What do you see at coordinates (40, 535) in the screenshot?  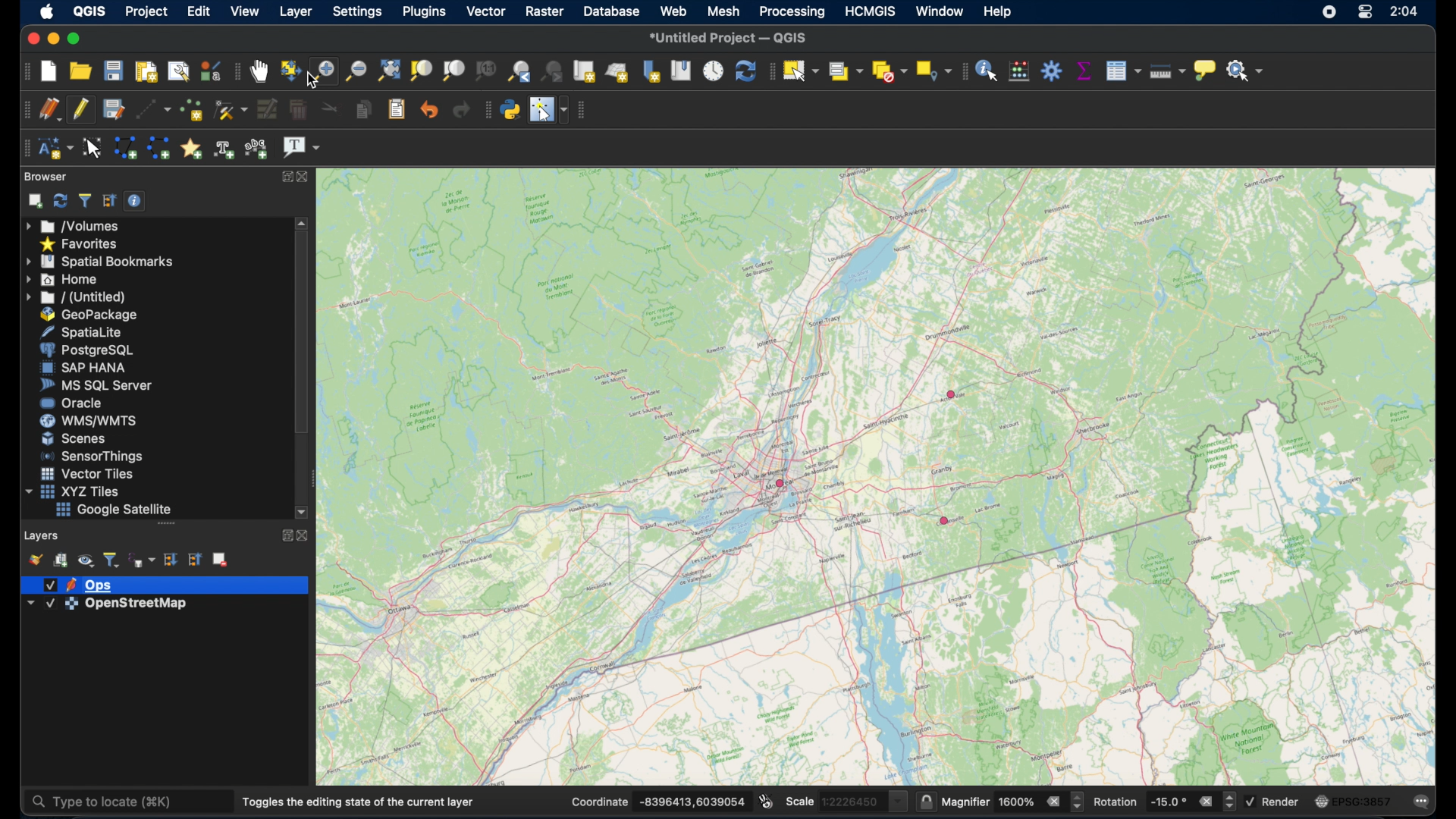 I see `layers` at bounding box center [40, 535].